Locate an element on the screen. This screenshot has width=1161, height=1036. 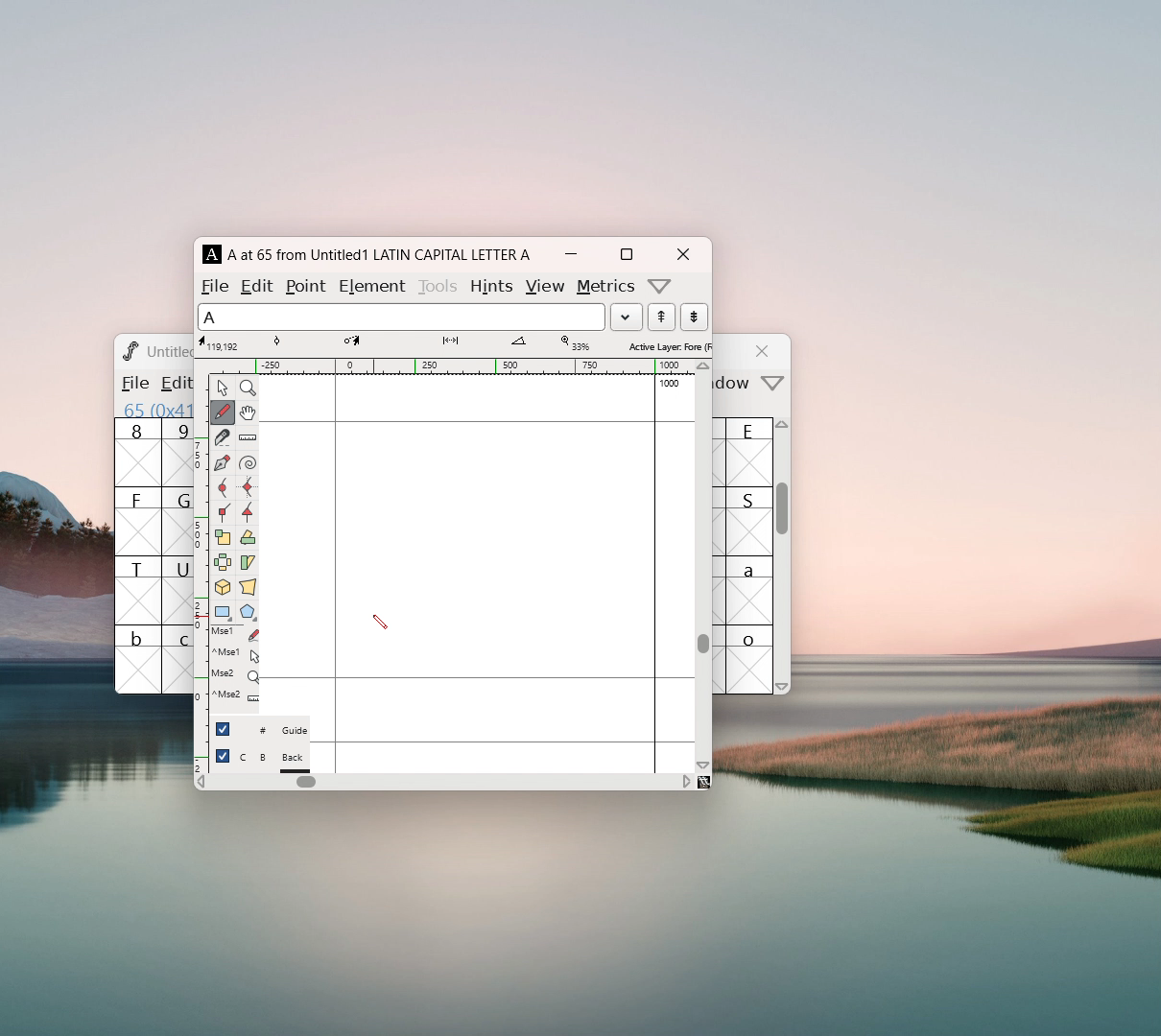
metrics is located at coordinates (606, 287).